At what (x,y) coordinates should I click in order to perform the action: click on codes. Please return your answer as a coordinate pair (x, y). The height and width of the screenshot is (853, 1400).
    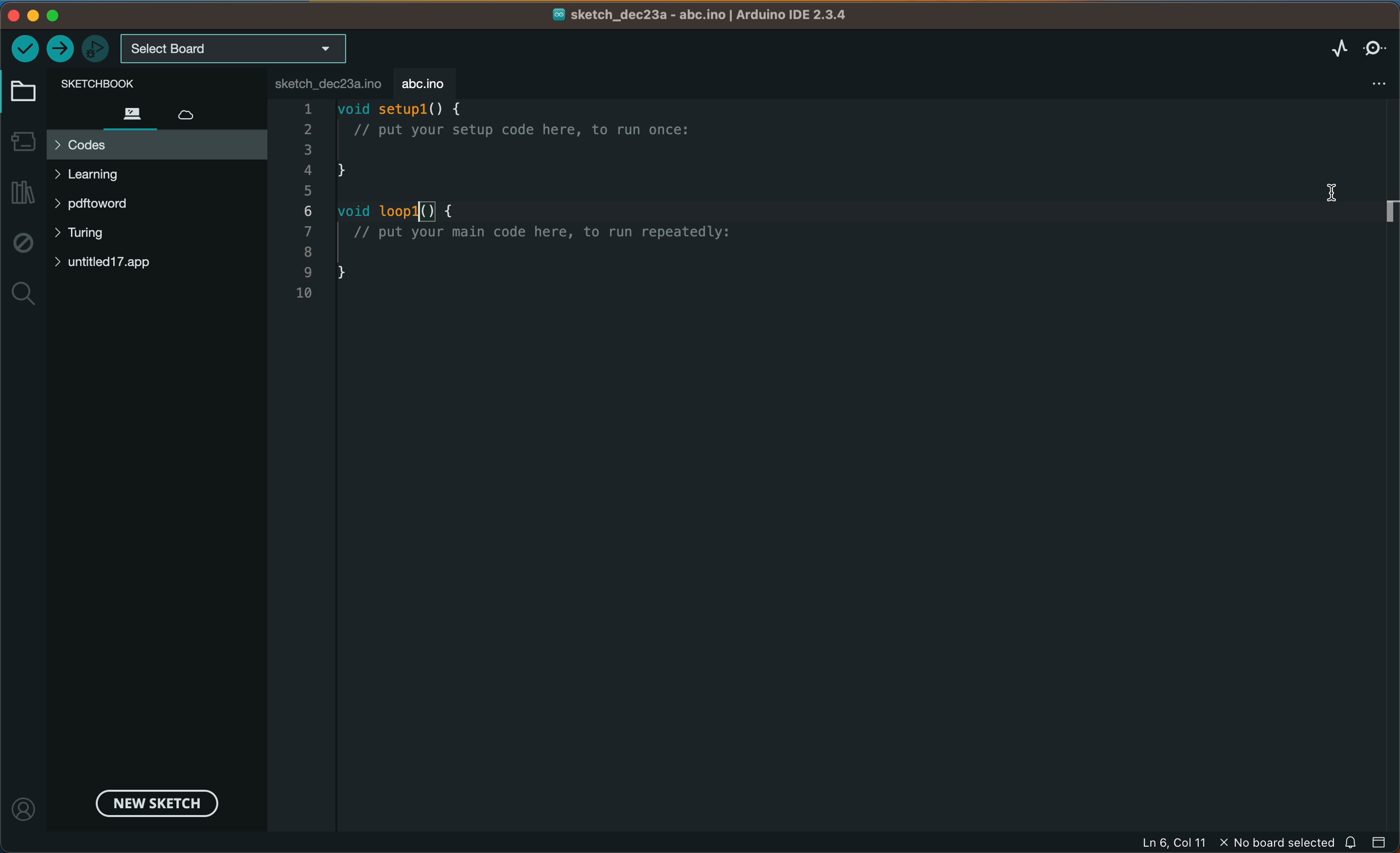
    Looking at the image, I should click on (155, 143).